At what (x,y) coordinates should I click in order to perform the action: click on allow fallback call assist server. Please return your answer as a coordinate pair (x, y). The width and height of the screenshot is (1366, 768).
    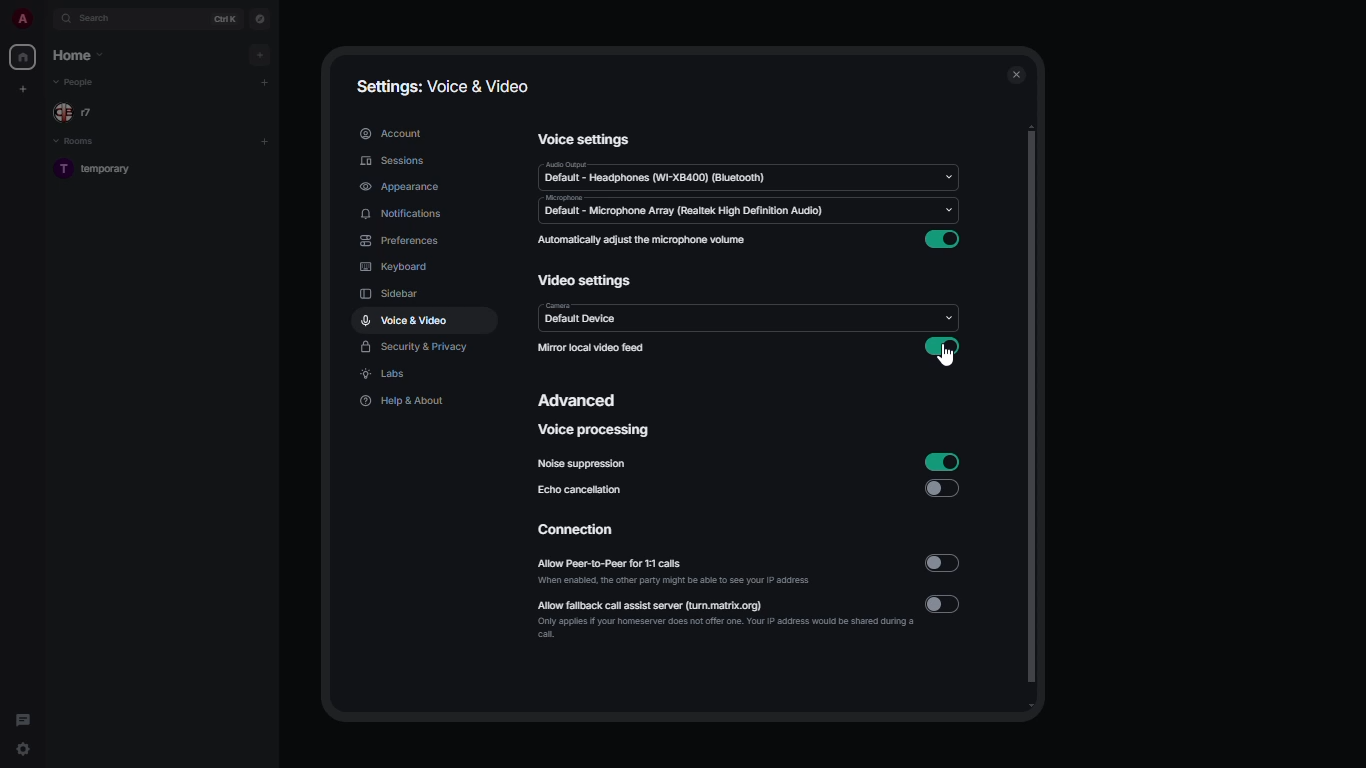
    Looking at the image, I should click on (725, 618).